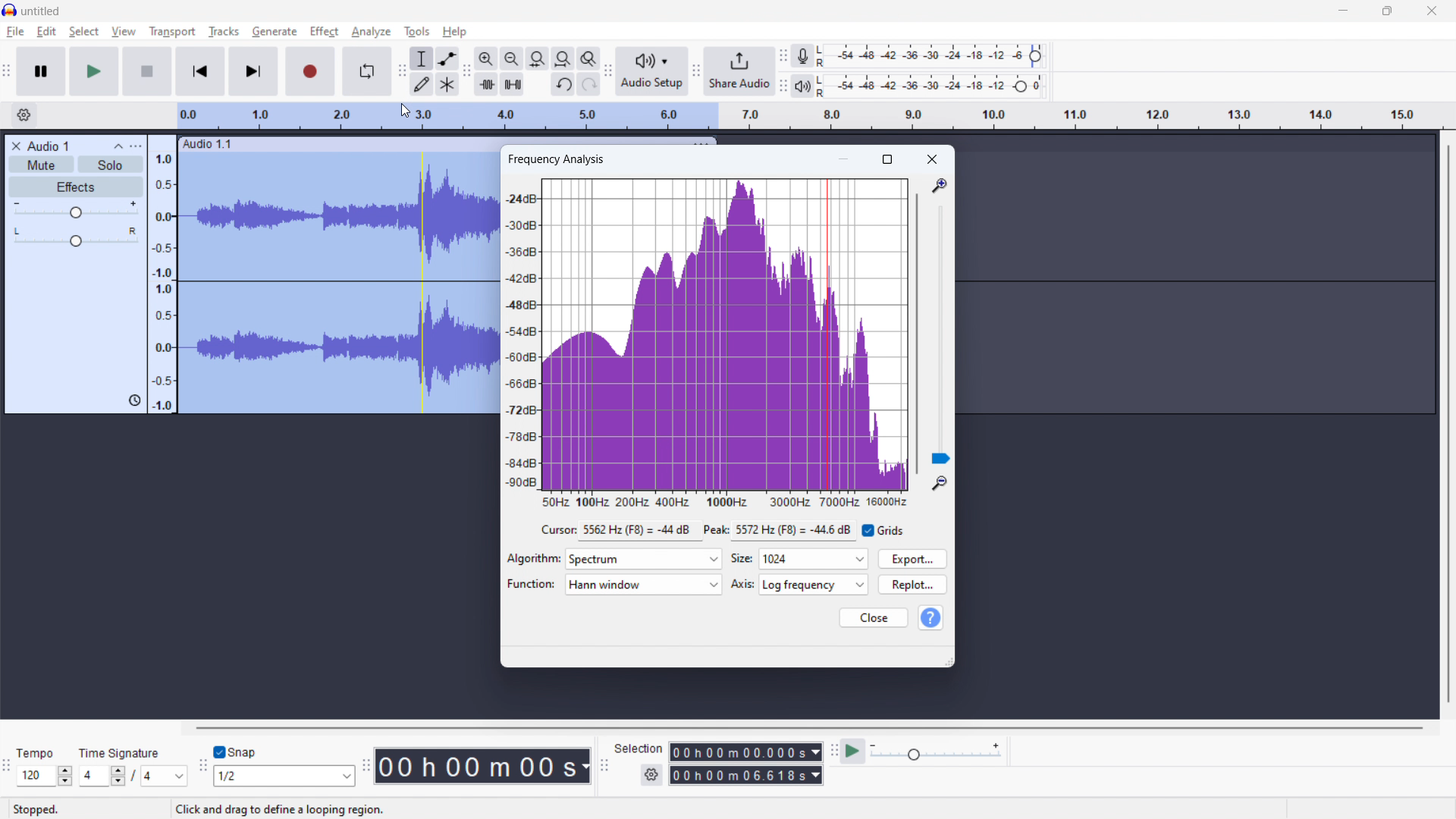 The height and width of the screenshot is (819, 1456). Describe the element at coordinates (77, 209) in the screenshot. I see `gain` at that location.